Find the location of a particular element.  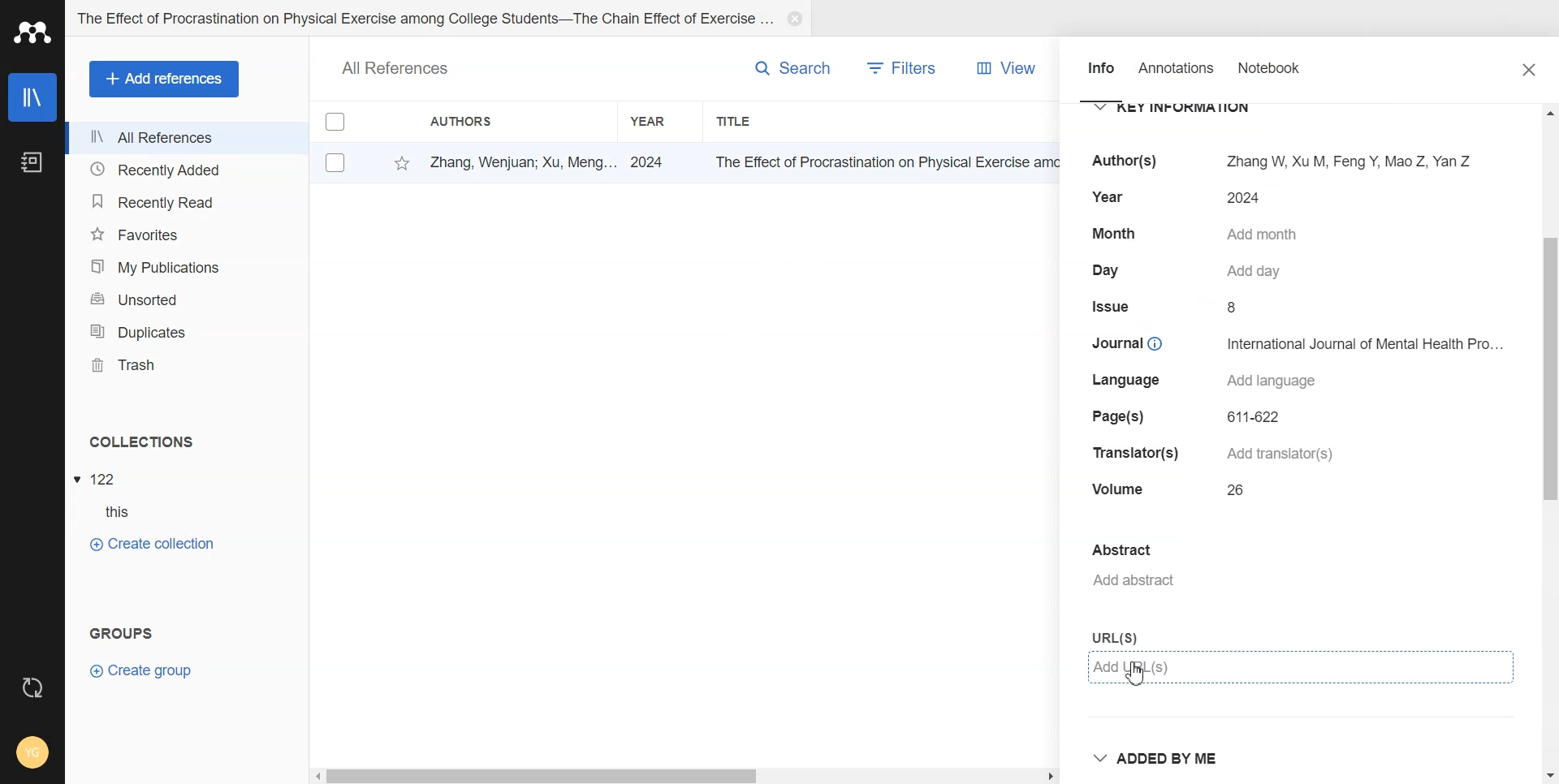

Language Add language is located at coordinates (1210, 381).